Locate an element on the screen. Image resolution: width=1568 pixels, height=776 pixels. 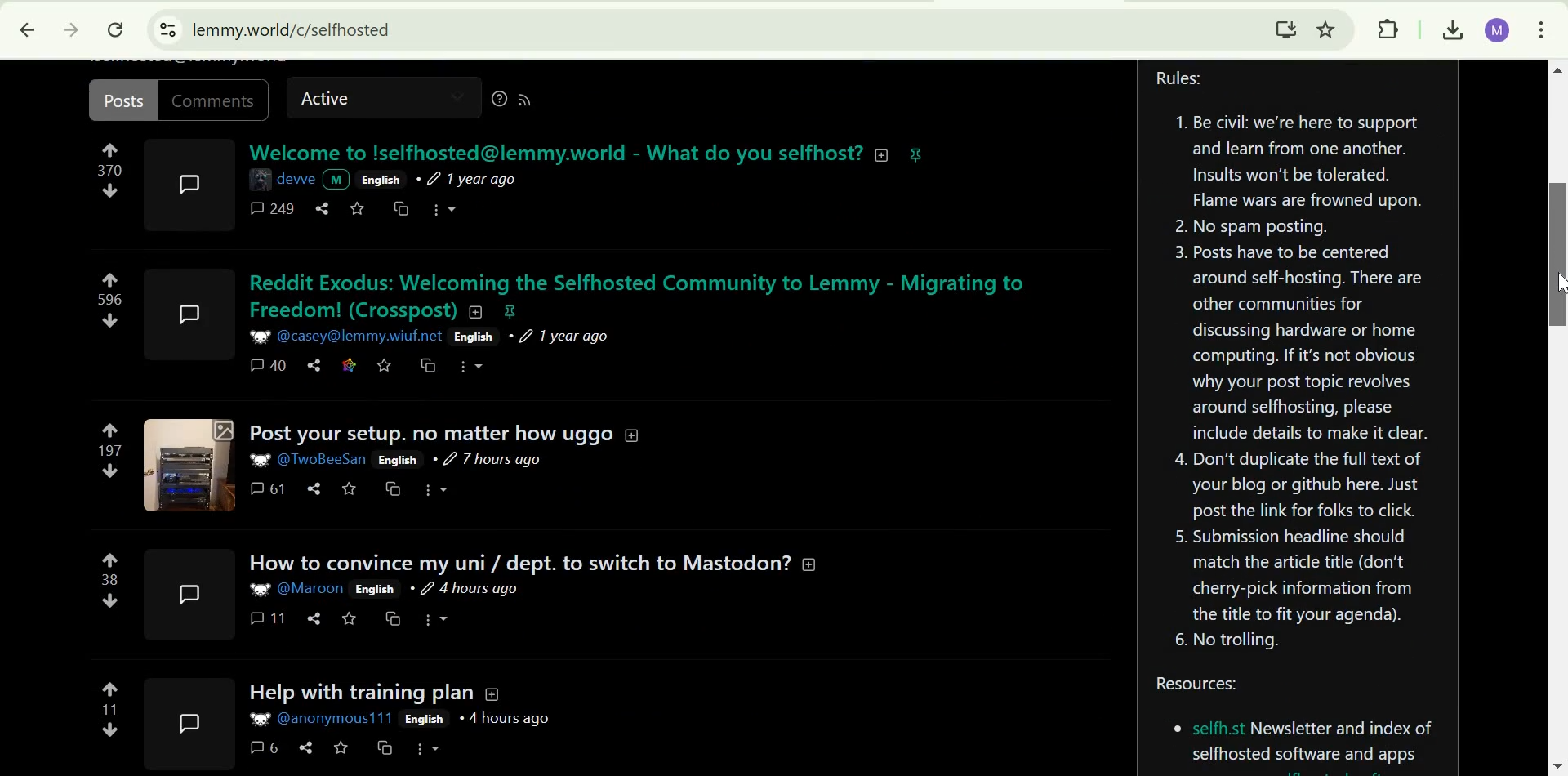
cross post is located at coordinates (400, 208).